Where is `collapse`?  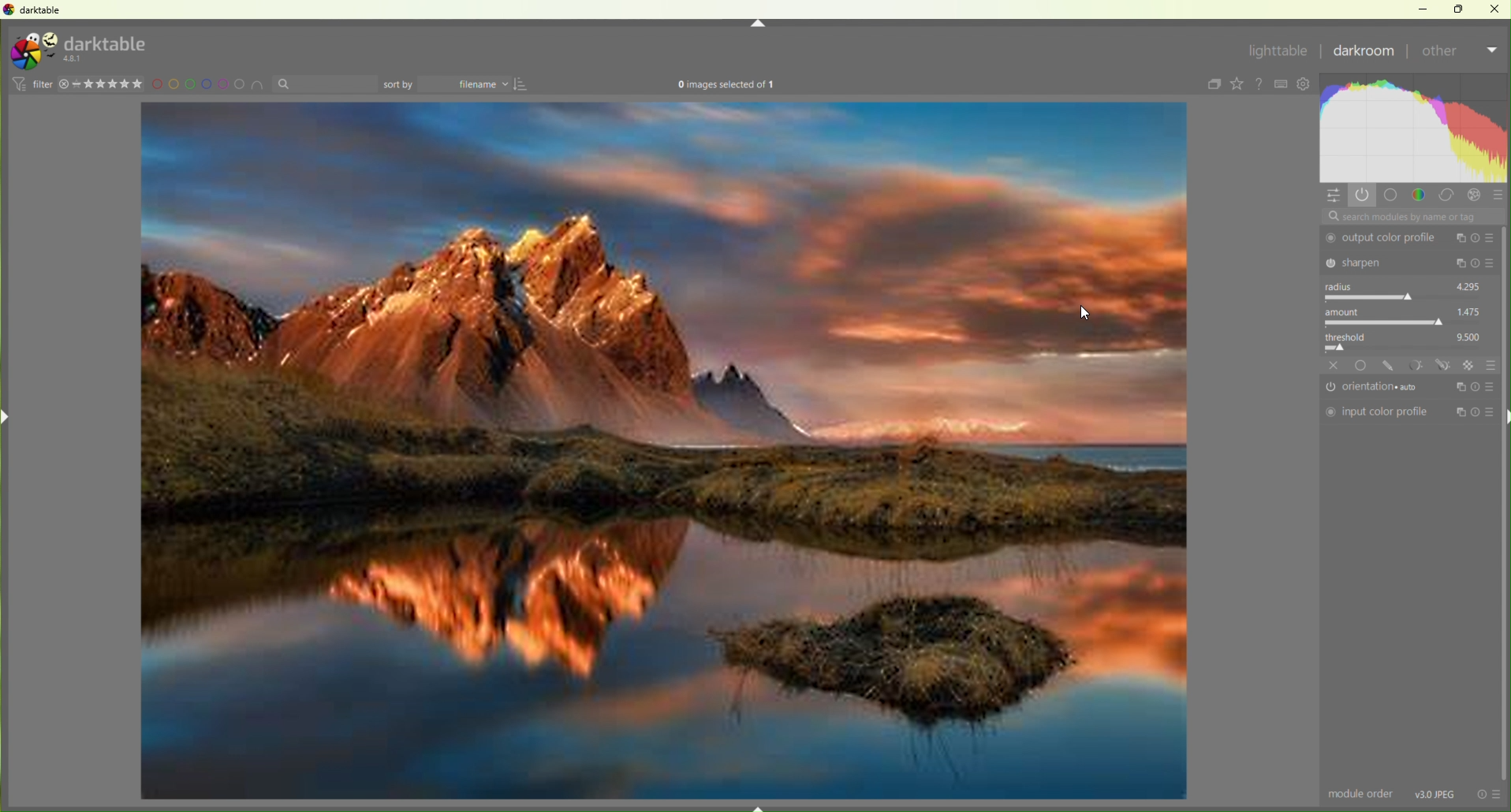 collapse is located at coordinates (1211, 85).